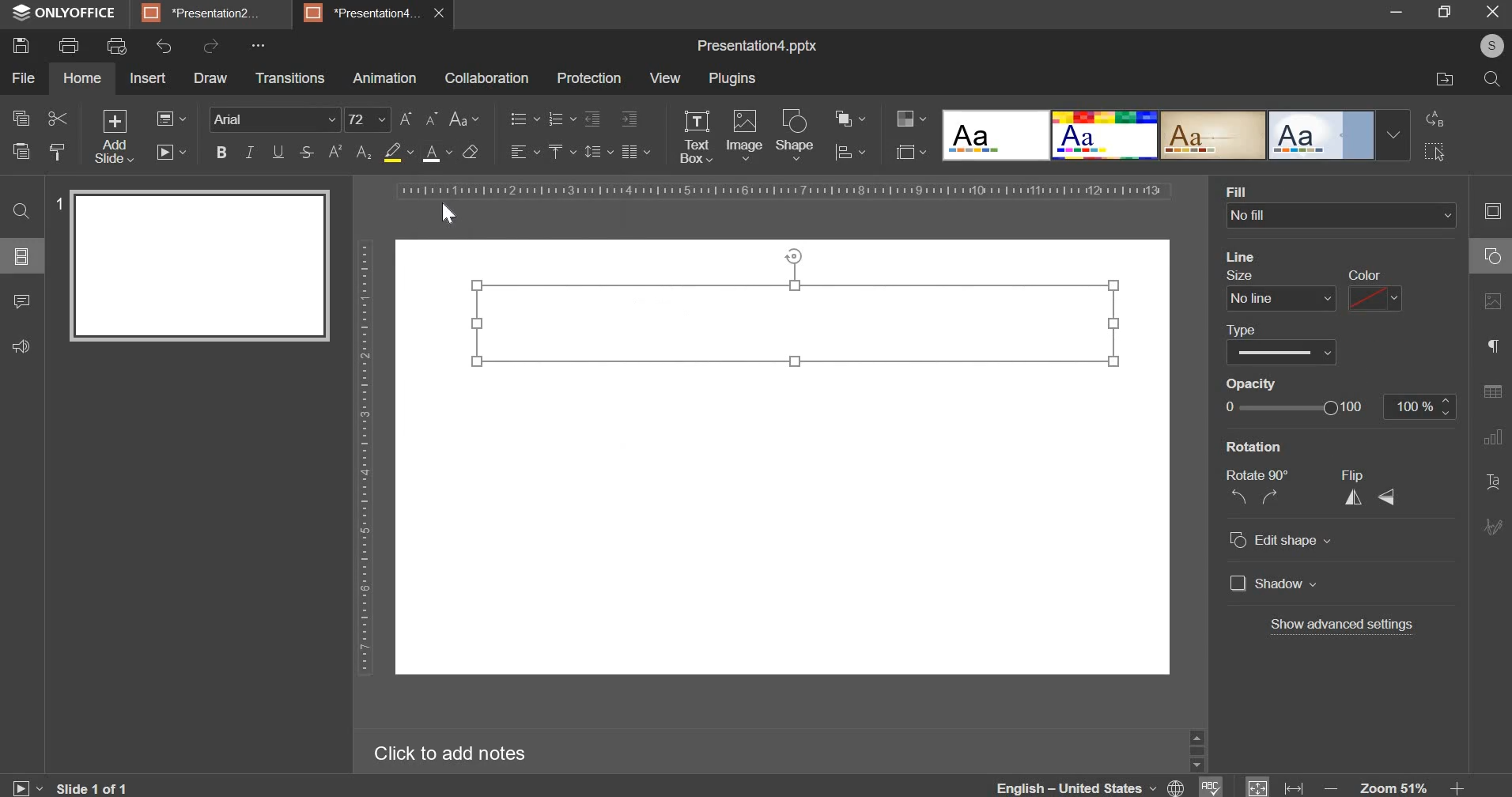 This screenshot has height=797, width=1512. I want to click on Preview screen, so click(195, 266).